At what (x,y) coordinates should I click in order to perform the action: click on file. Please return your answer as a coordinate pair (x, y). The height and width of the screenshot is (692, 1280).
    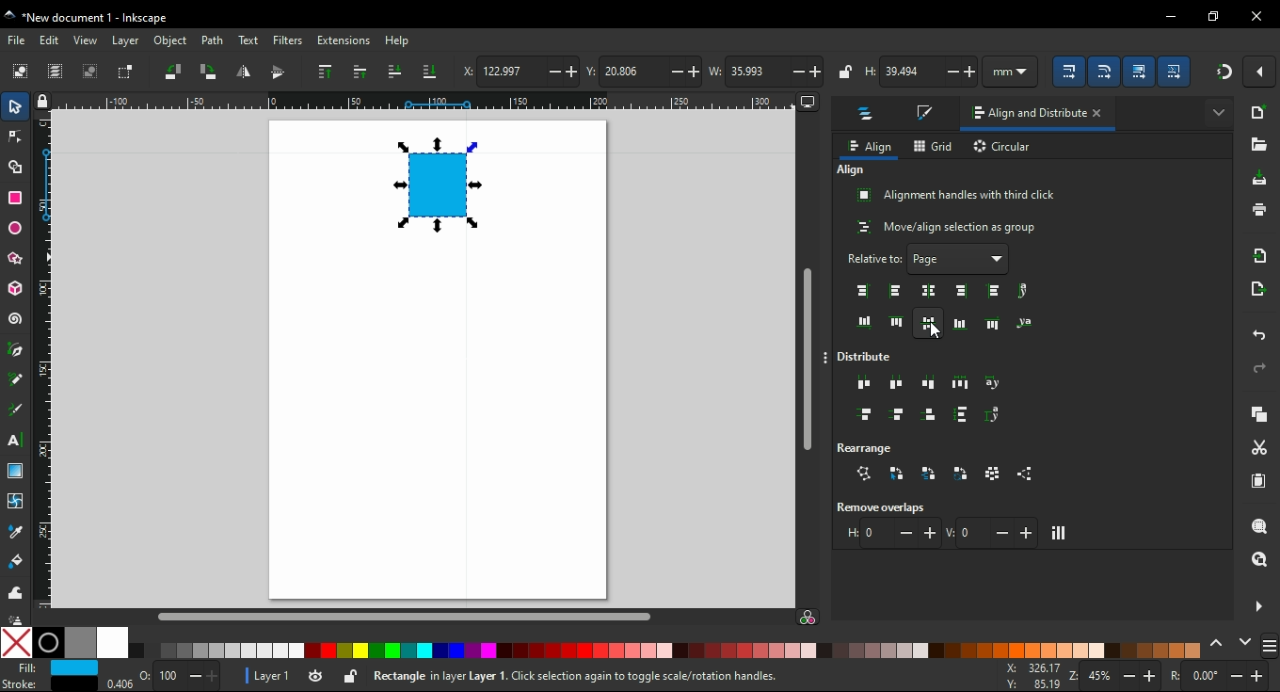
    Looking at the image, I should click on (18, 40).